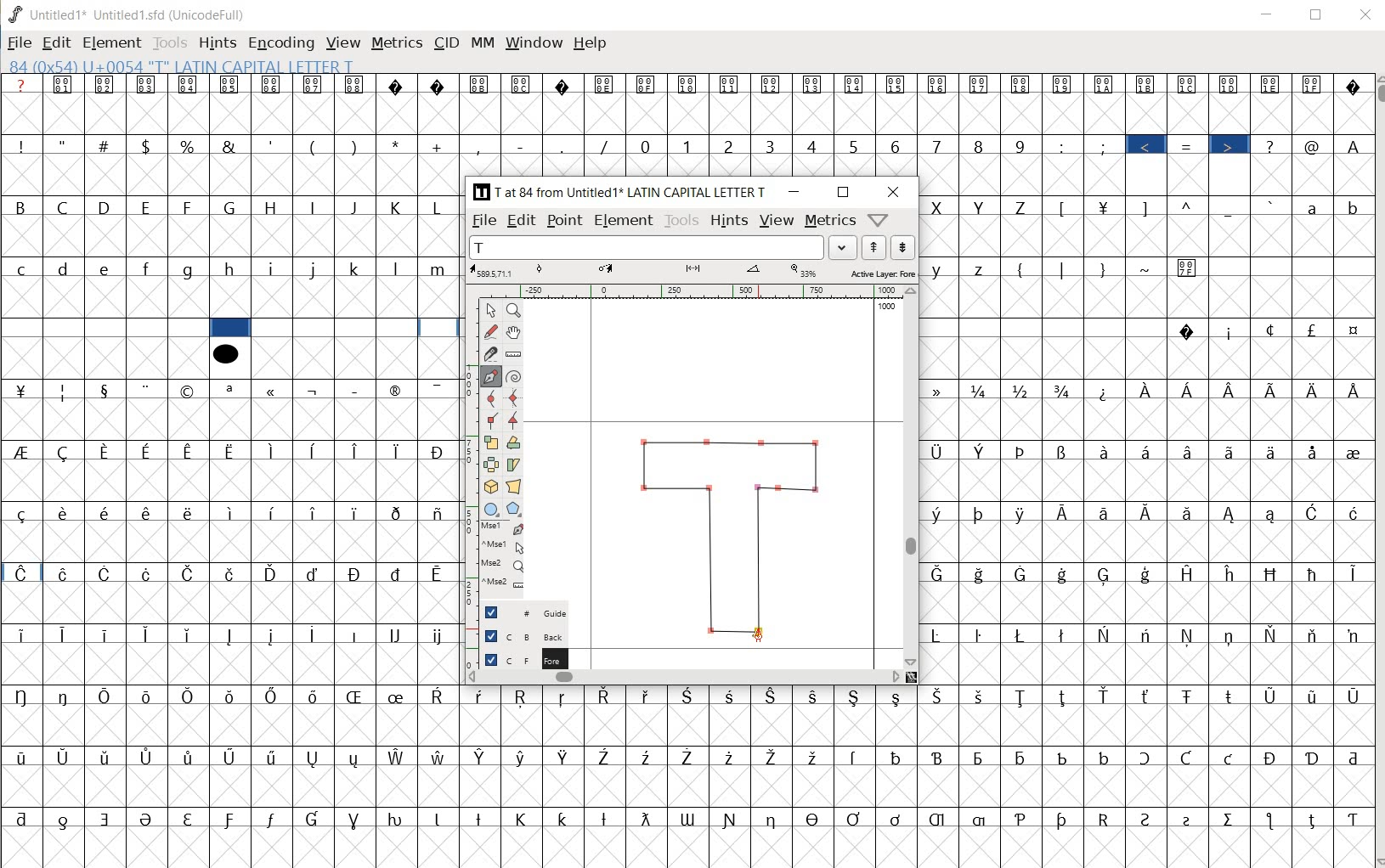 The width and height of the screenshot is (1385, 868). Describe the element at coordinates (647, 84) in the screenshot. I see `Symbol` at that location.